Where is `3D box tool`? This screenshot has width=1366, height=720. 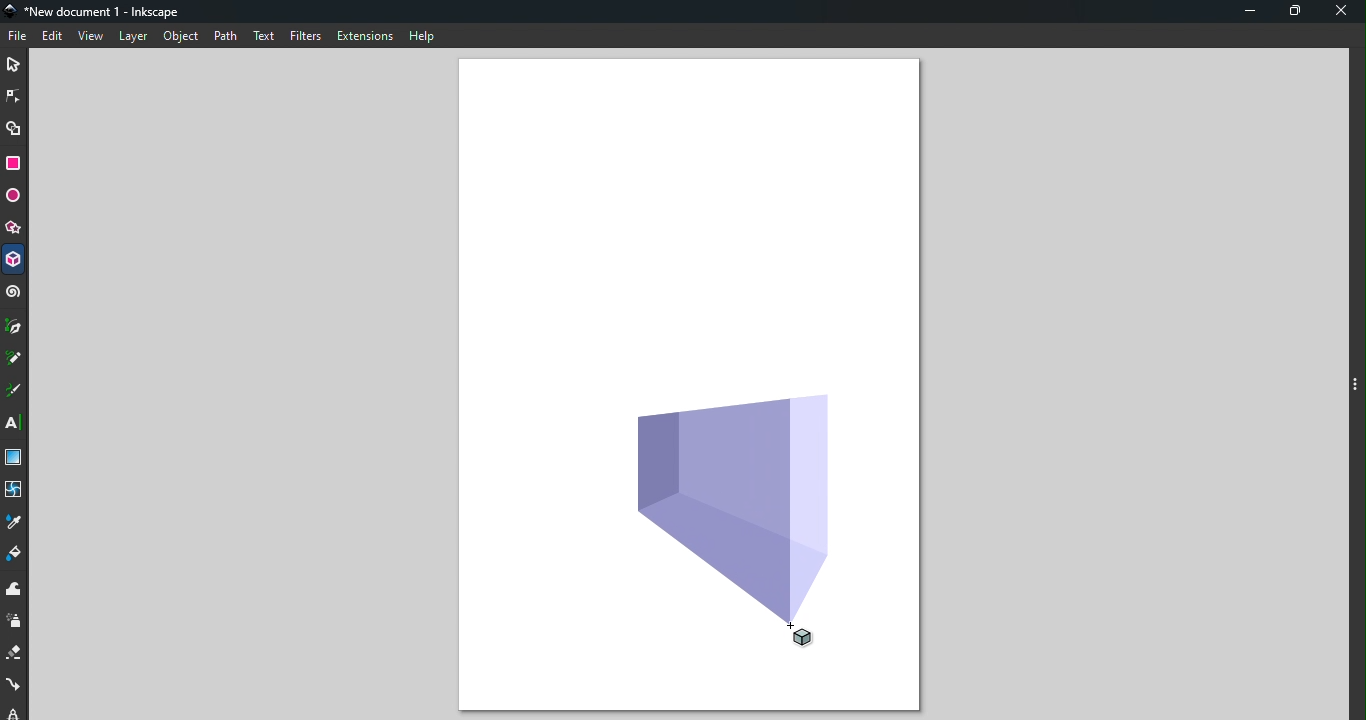
3D box tool is located at coordinates (14, 259).